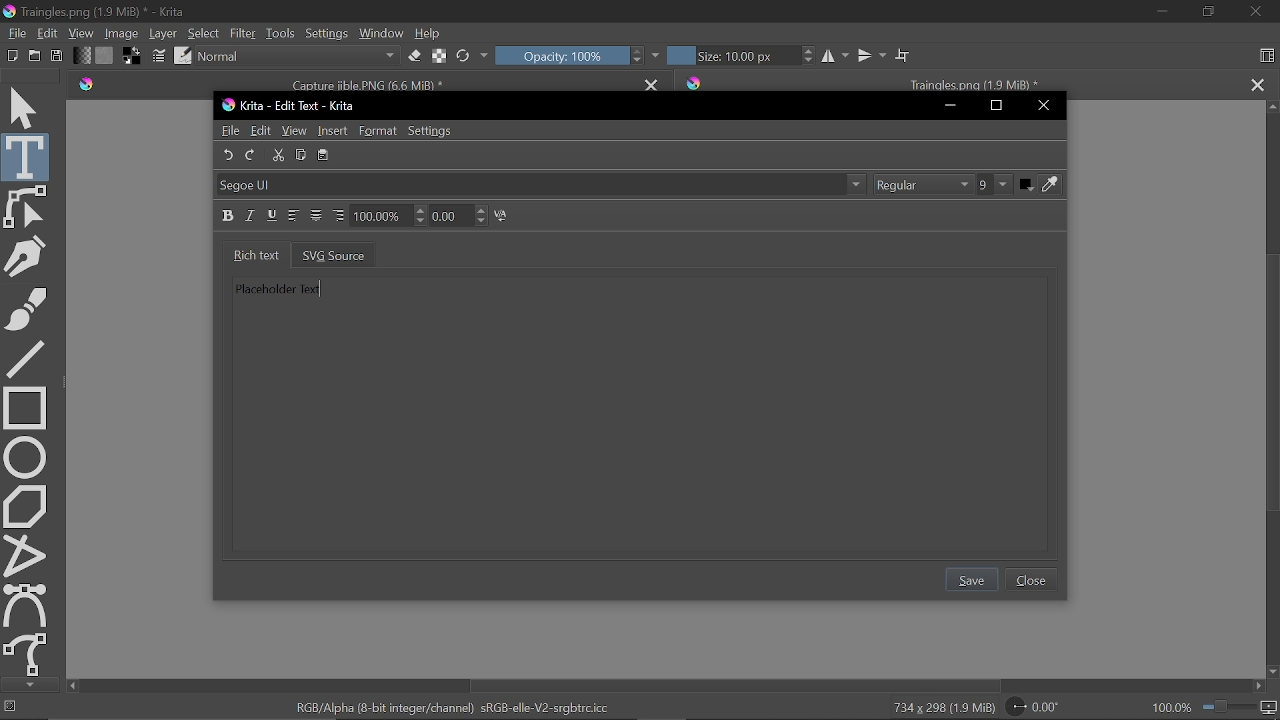 Image resolution: width=1280 pixels, height=720 pixels. I want to click on Krita - Edit Text - Krita, so click(291, 106).